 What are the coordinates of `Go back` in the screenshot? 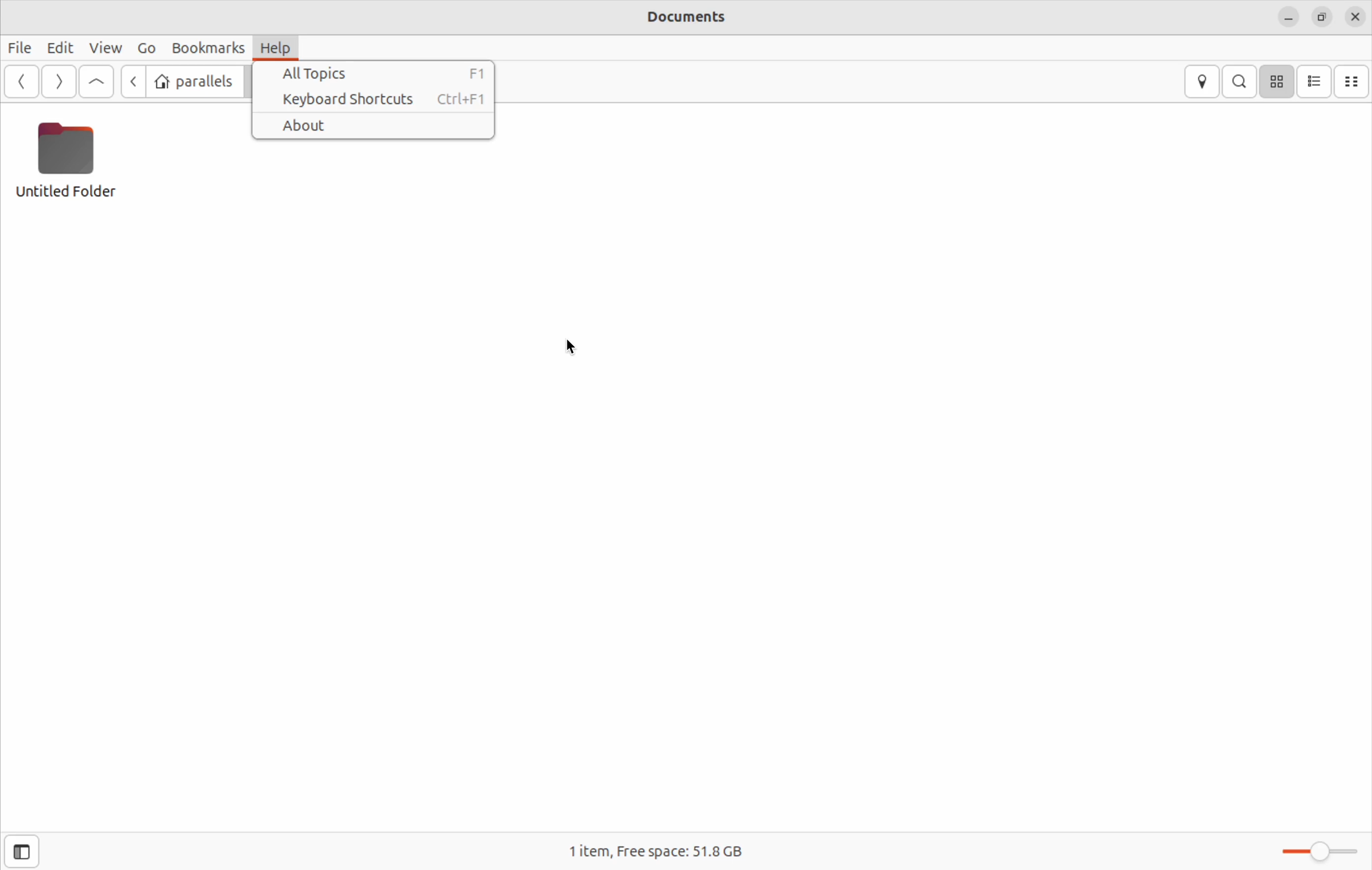 It's located at (22, 81).